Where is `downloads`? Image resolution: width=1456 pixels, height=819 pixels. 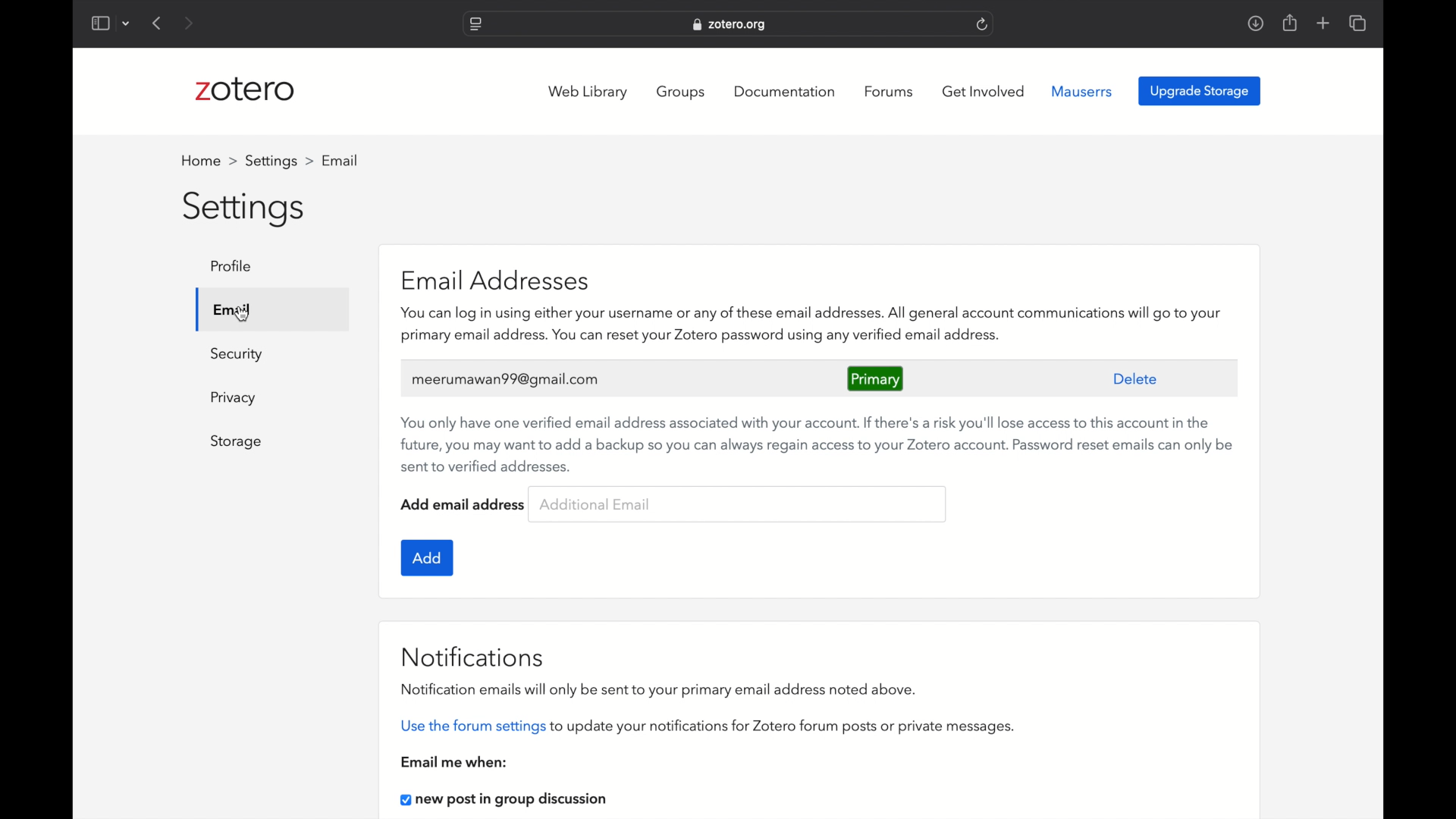 downloads is located at coordinates (1256, 23).